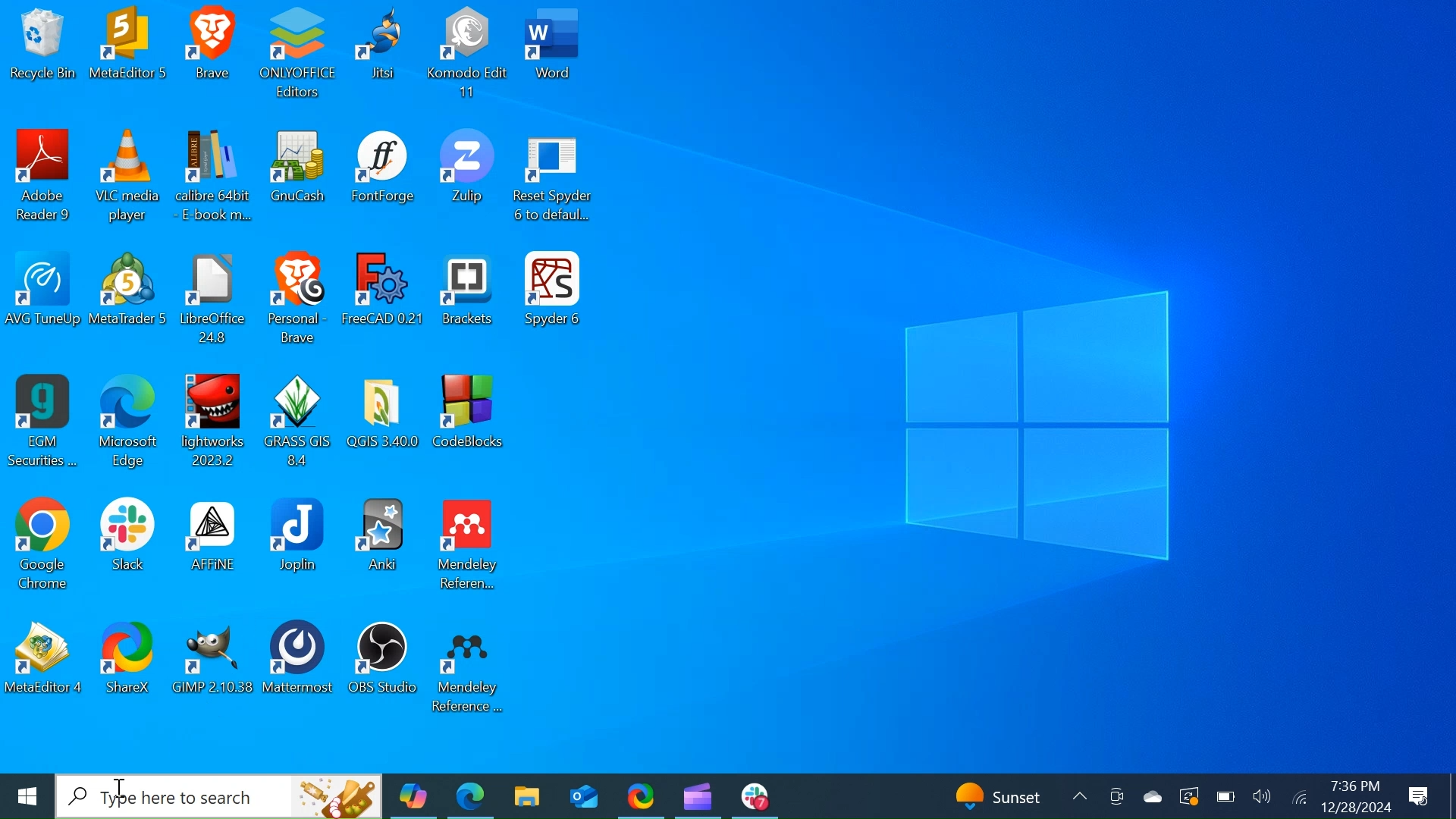 This screenshot has width=1456, height=819. I want to click on Recycle Bin Desktop Icon, so click(43, 51).